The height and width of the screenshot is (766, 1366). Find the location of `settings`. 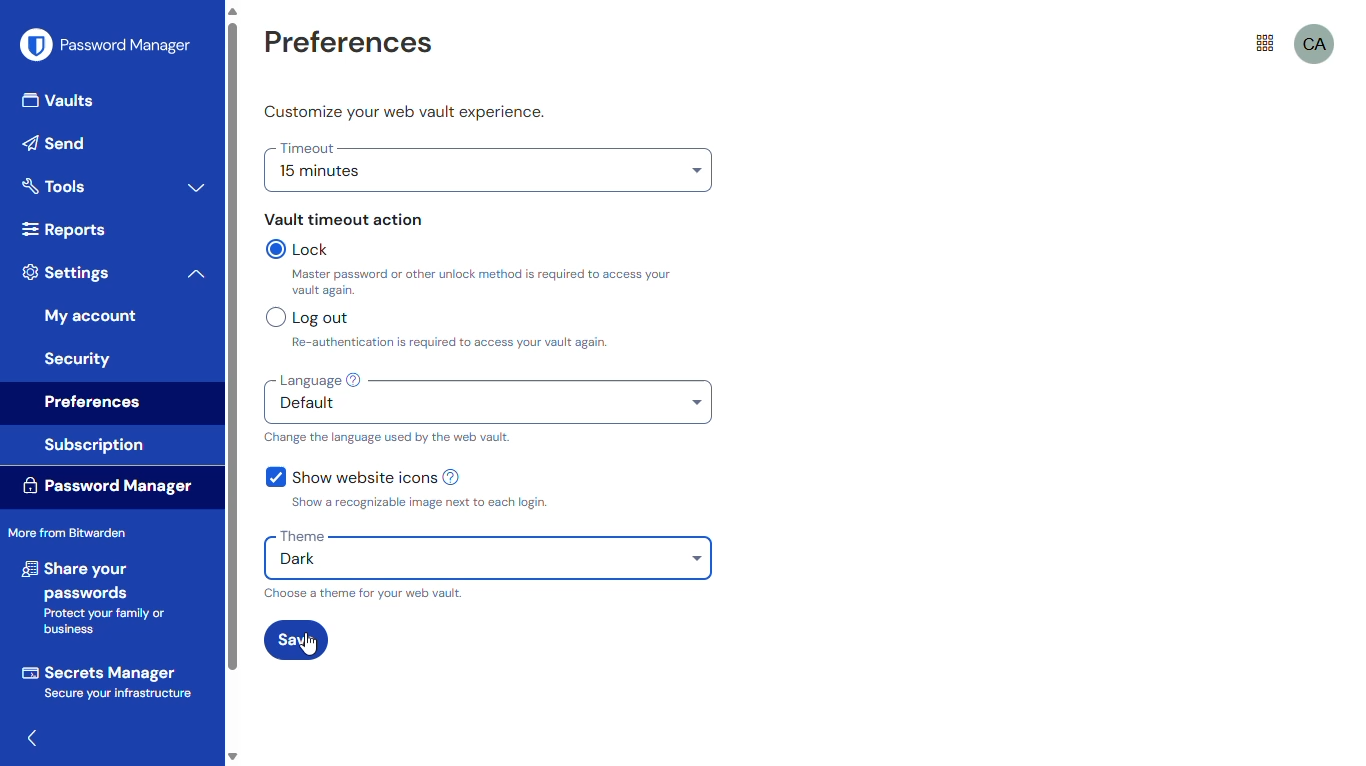

settings is located at coordinates (67, 272).